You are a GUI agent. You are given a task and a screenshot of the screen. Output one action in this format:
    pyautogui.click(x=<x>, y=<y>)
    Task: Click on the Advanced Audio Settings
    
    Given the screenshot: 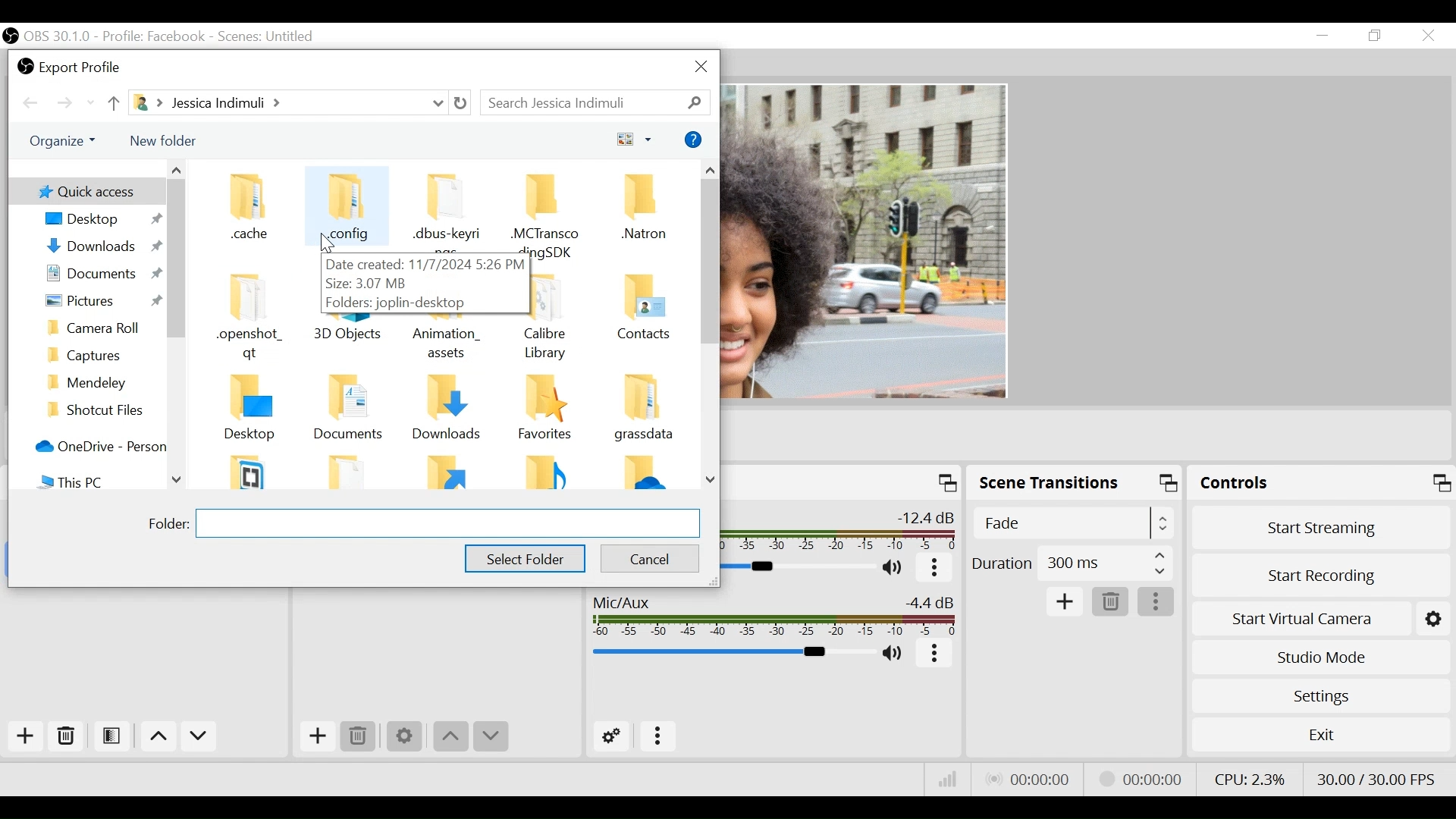 What is the action you would take?
    pyautogui.click(x=611, y=736)
    